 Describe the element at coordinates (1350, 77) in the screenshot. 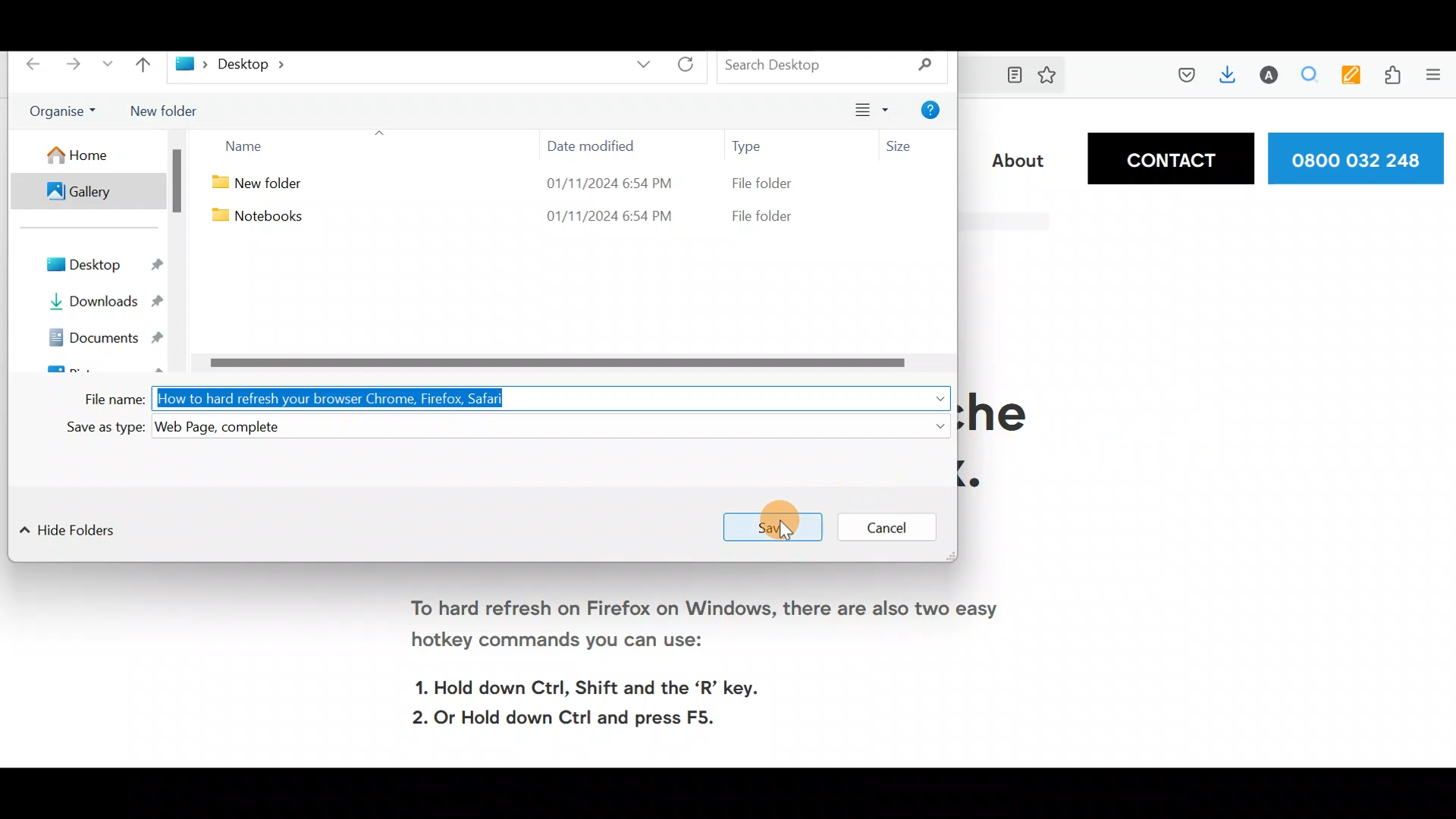

I see `Multi keyword highlighter` at that location.